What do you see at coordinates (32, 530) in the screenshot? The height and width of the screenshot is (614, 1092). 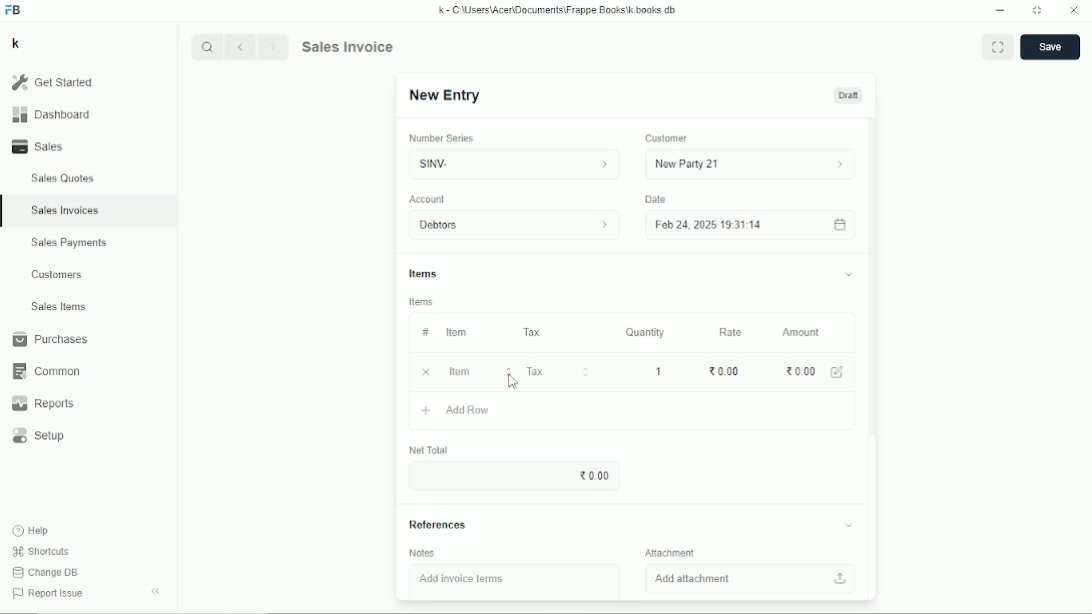 I see `Help` at bounding box center [32, 530].